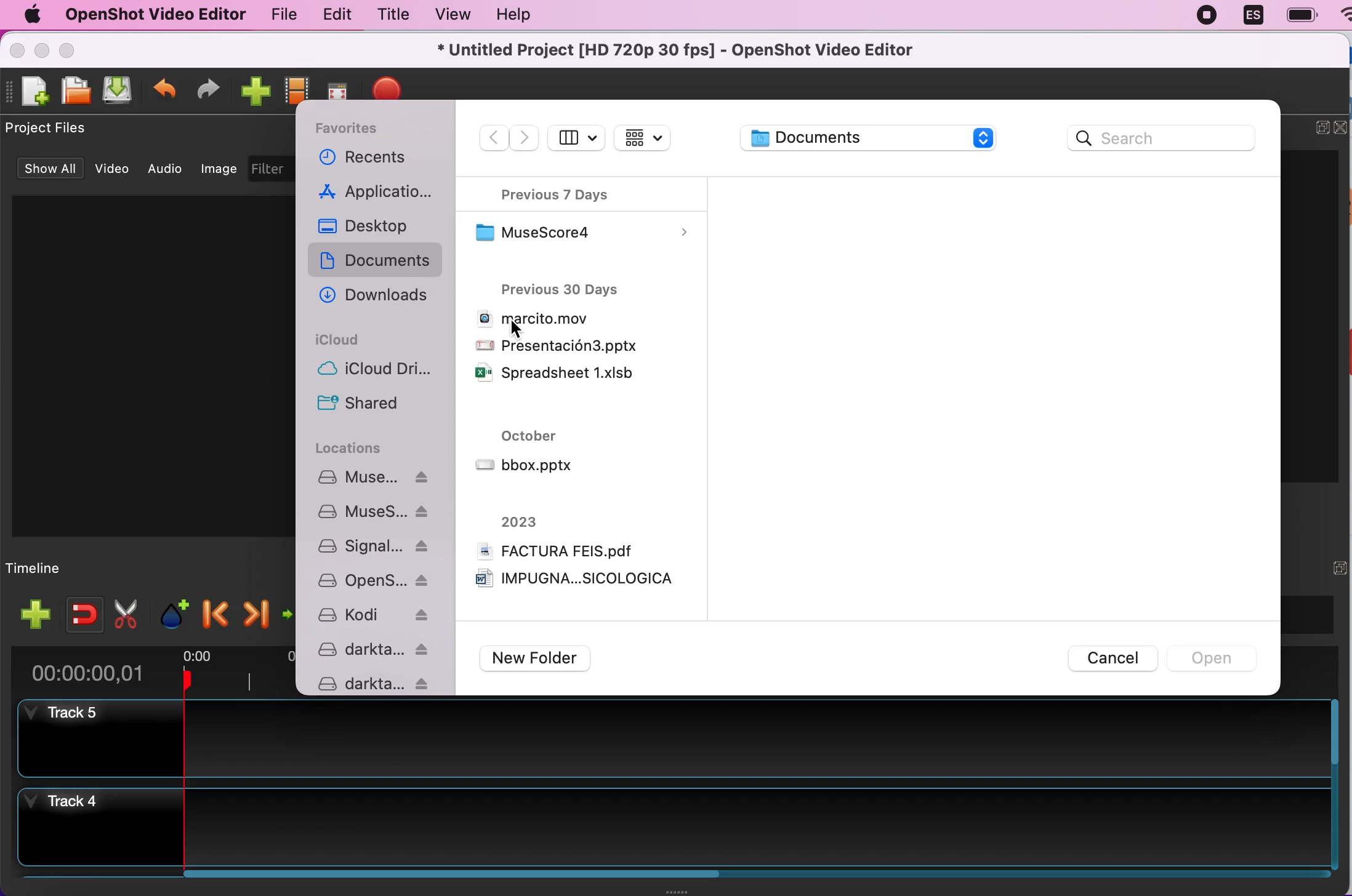 The width and height of the screenshot is (1352, 896). Describe the element at coordinates (147, 673) in the screenshot. I see `time duration` at that location.